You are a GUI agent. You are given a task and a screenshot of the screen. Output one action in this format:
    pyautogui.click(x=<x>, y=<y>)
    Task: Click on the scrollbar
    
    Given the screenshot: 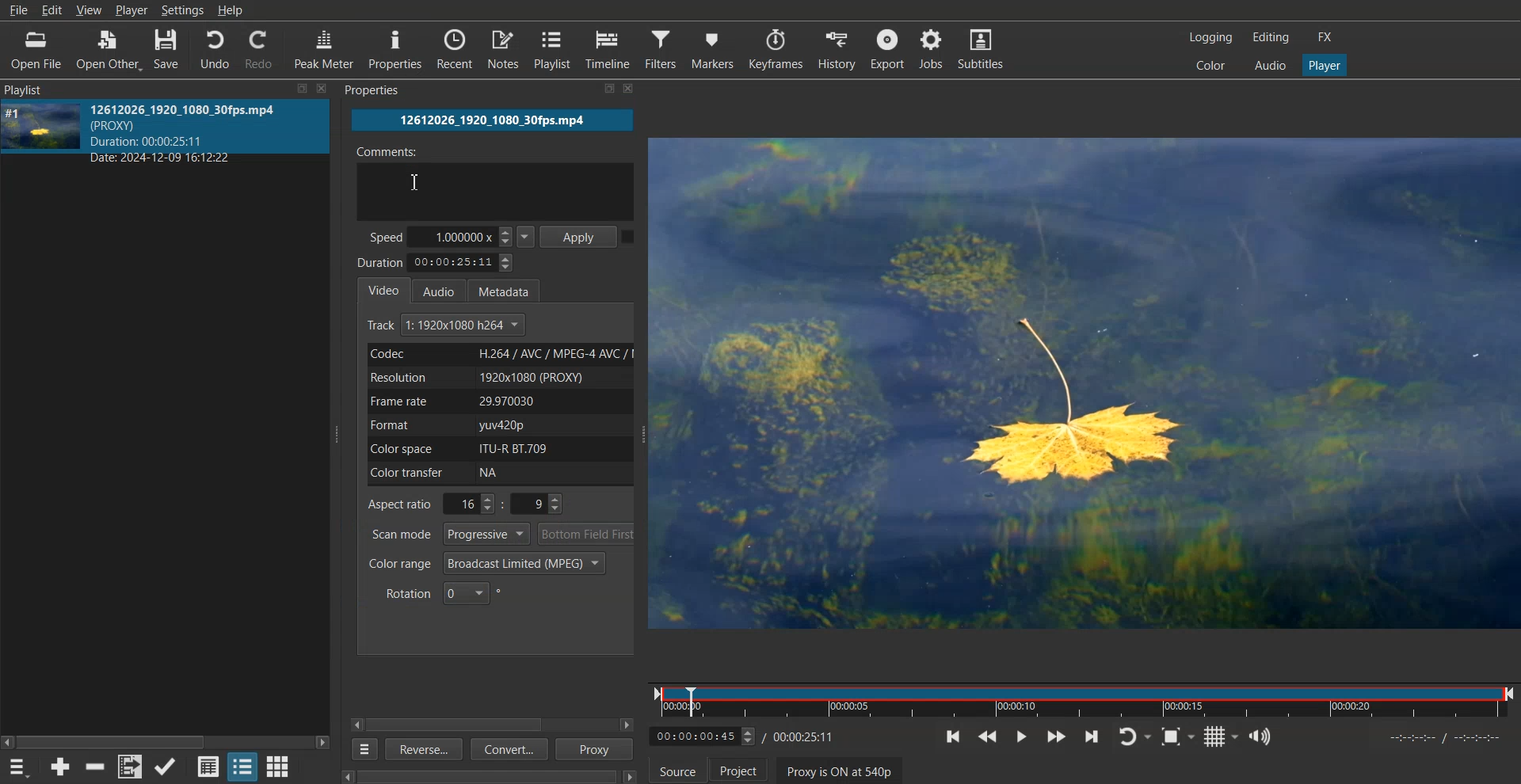 What is the action you would take?
    pyautogui.click(x=492, y=777)
    